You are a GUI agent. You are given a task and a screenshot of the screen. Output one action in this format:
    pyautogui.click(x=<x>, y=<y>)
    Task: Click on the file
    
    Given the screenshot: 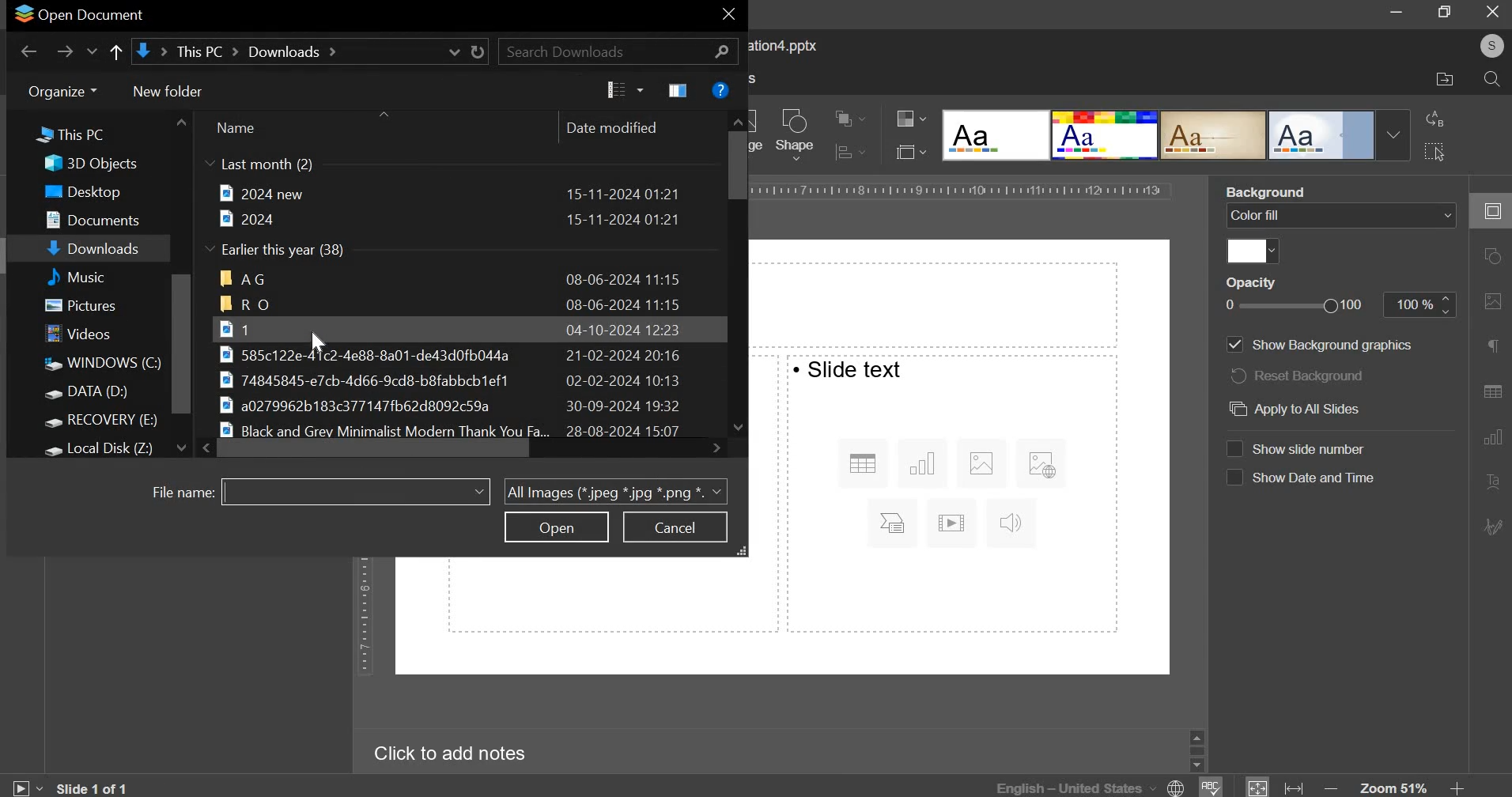 What is the action you would take?
    pyautogui.click(x=448, y=193)
    